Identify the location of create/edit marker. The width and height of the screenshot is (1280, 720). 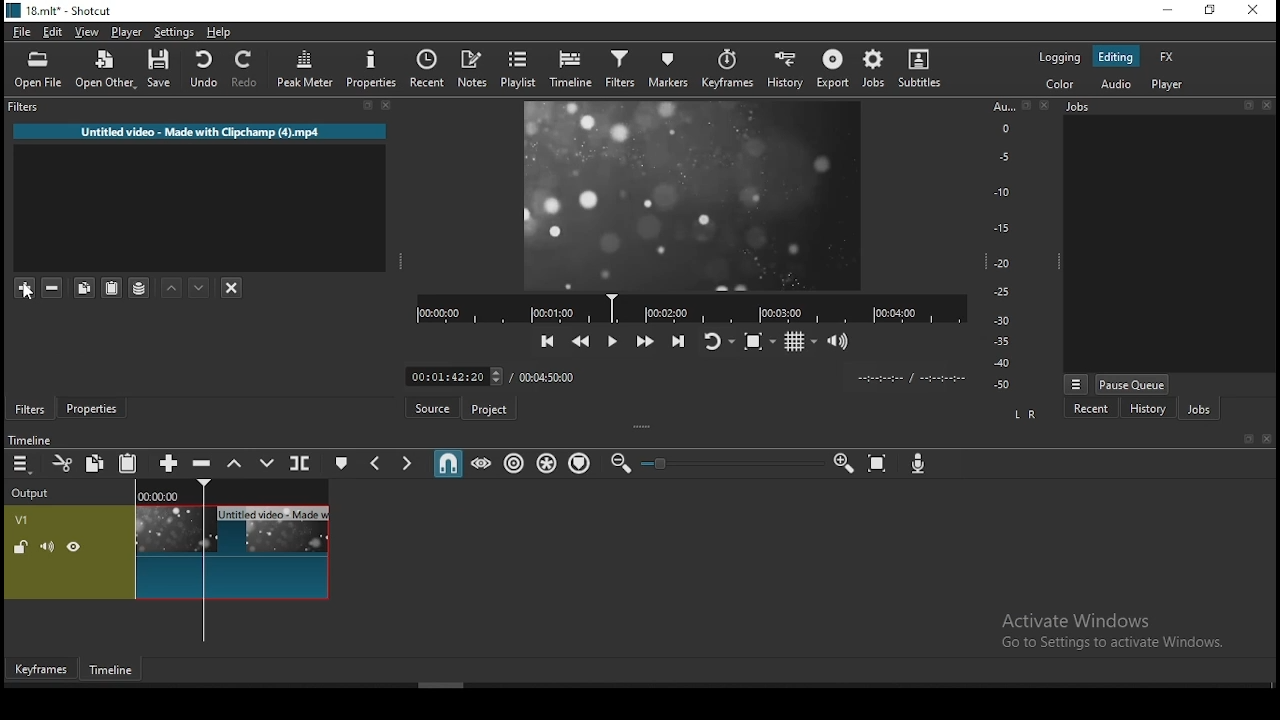
(339, 462).